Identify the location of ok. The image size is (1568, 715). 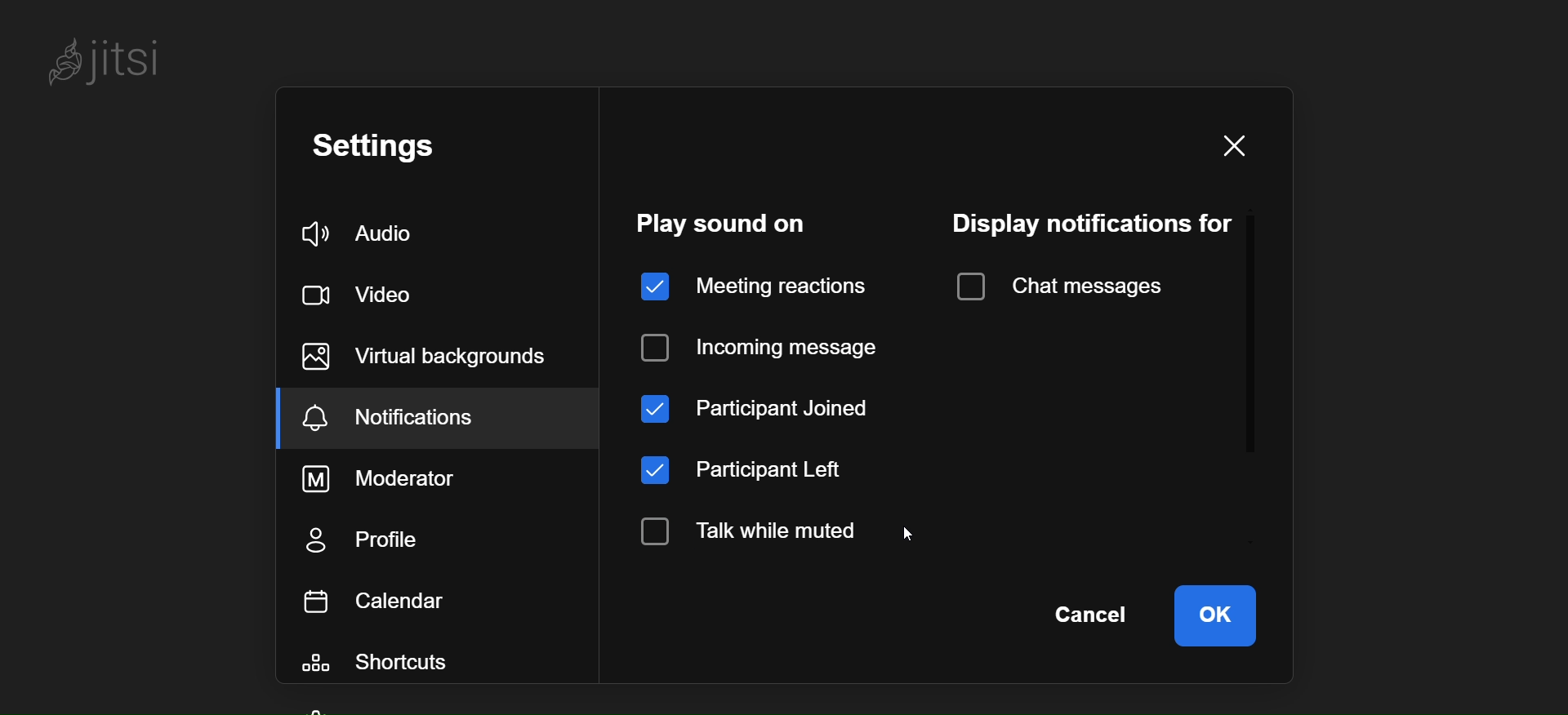
(1214, 615).